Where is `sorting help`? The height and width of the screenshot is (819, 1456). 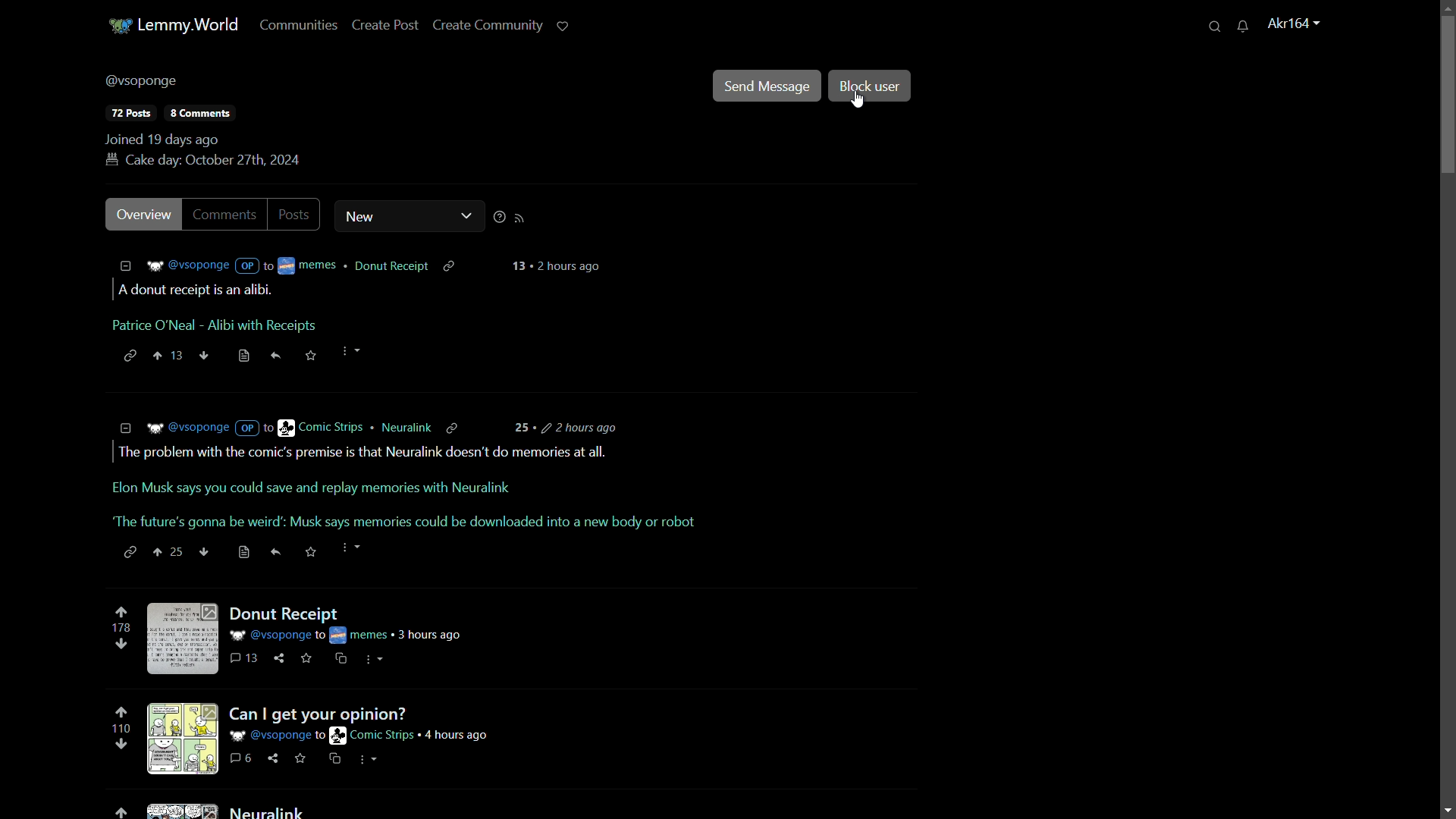
sorting help is located at coordinates (499, 218).